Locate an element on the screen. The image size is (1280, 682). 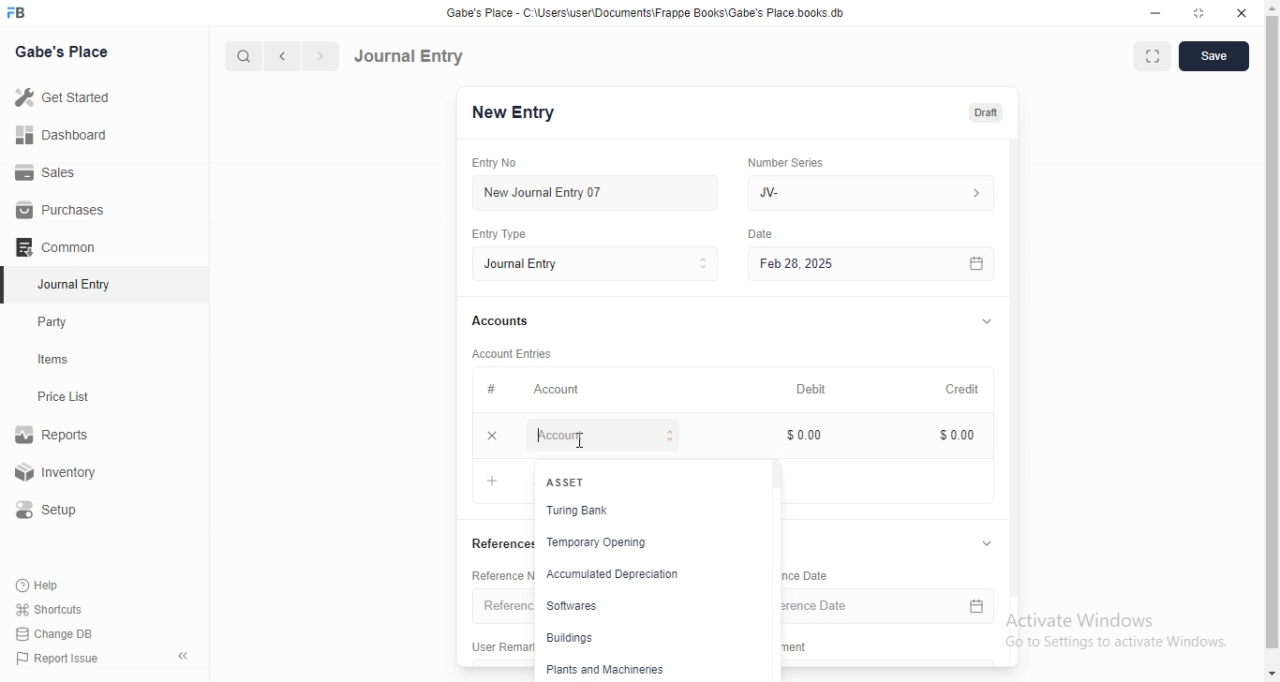
Credit is located at coordinates (969, 387).